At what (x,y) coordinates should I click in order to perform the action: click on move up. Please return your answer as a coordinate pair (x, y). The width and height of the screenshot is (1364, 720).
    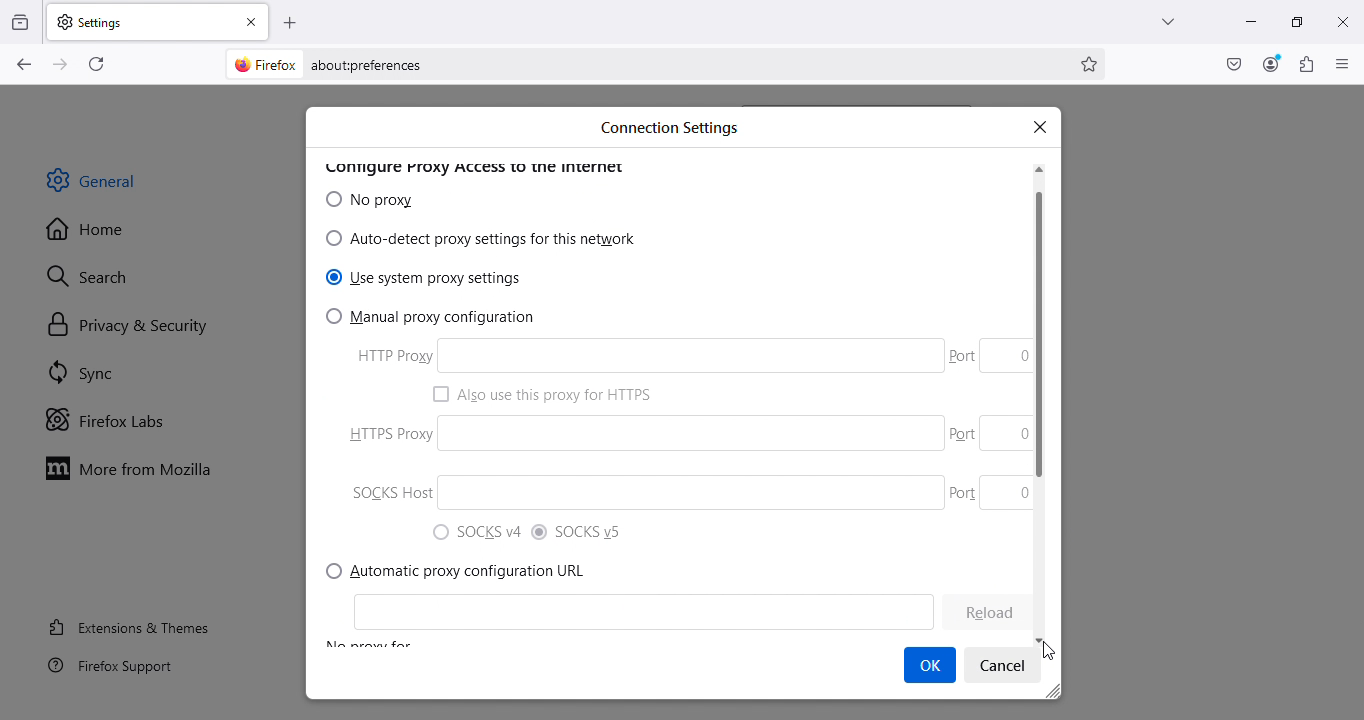
    Looking at the image, I should click on (1355, 88).